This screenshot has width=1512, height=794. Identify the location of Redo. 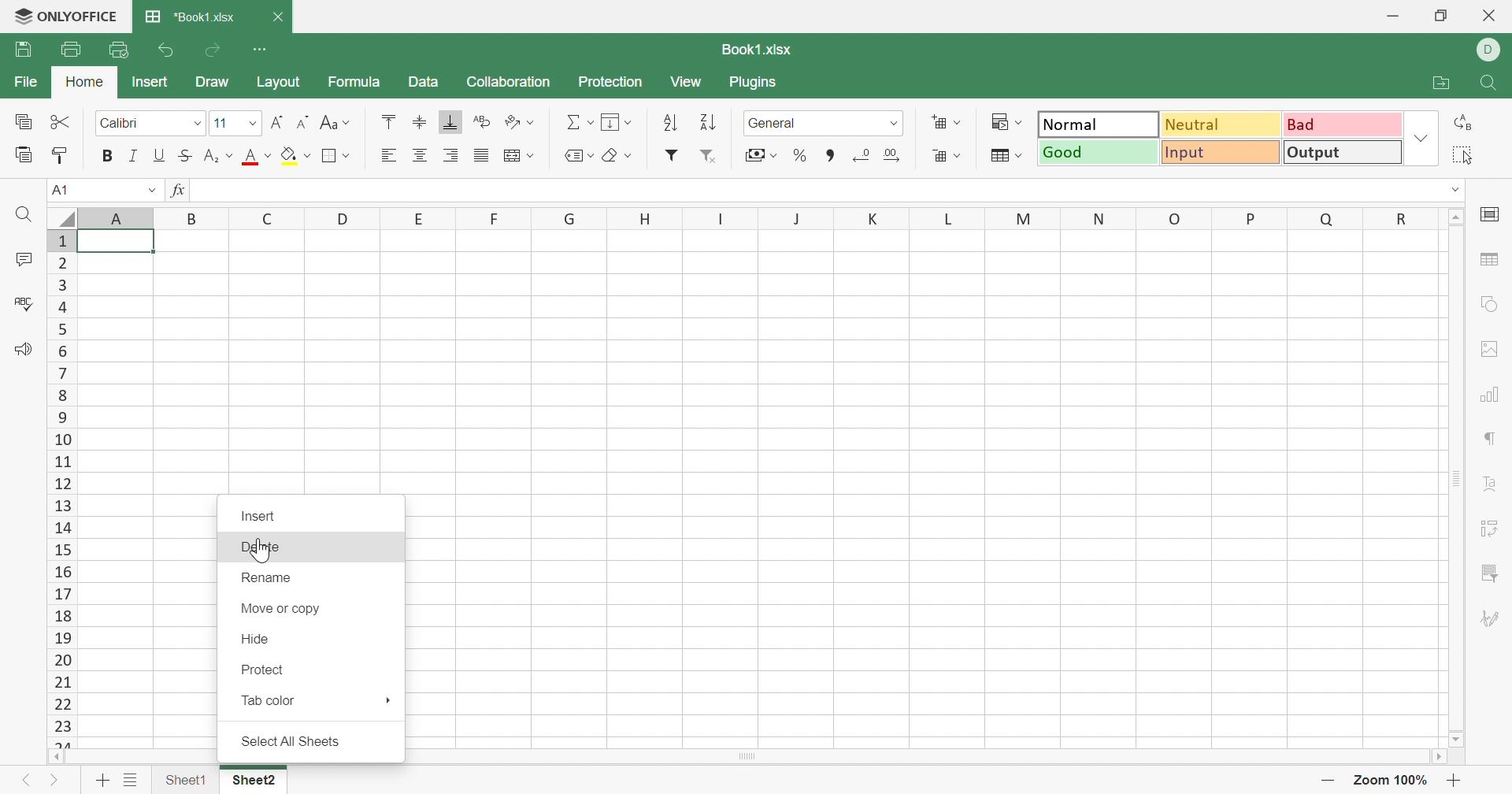
(215, 51).